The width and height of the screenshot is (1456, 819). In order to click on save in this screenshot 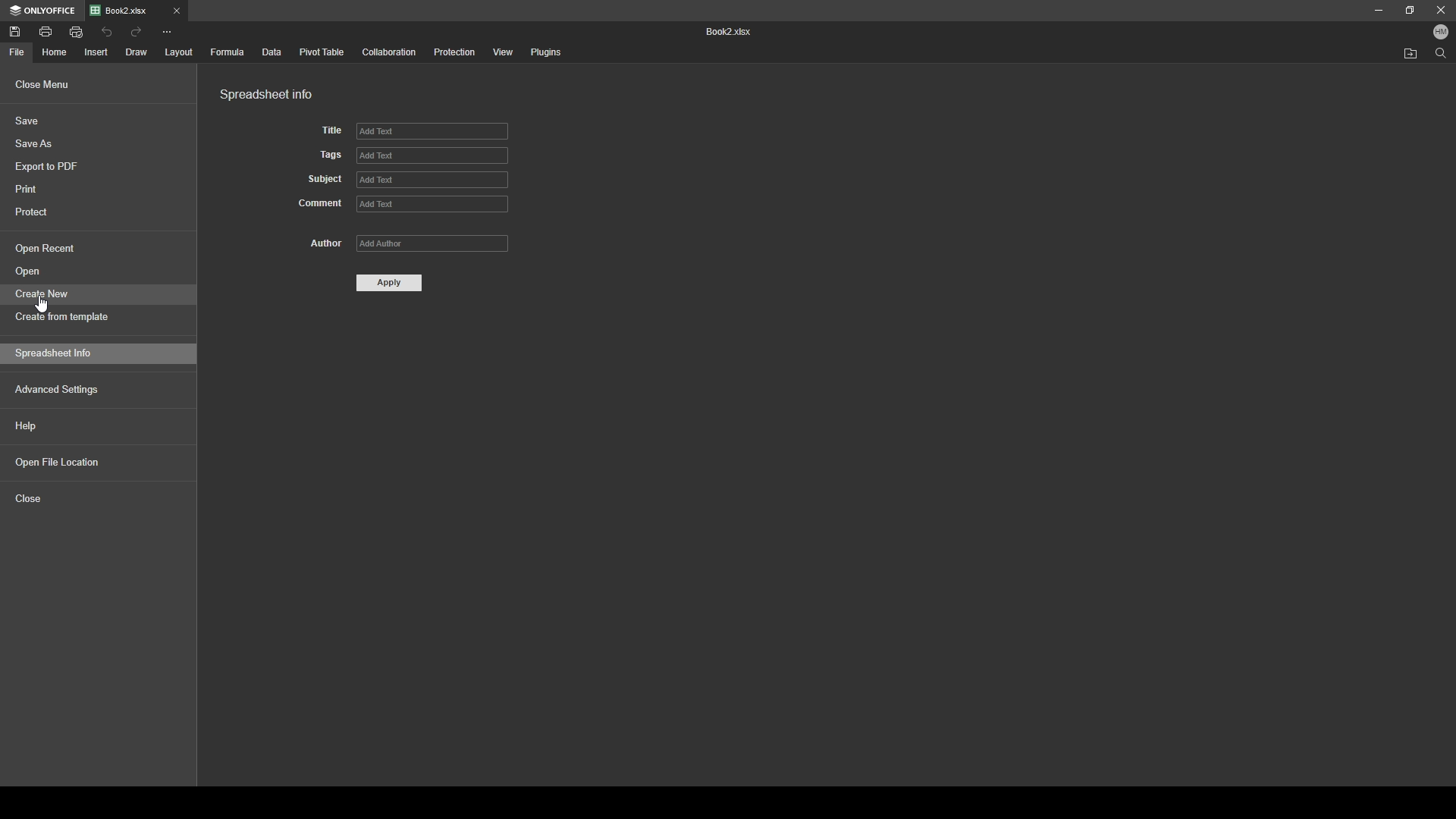, I will do `click(17, 31)`.